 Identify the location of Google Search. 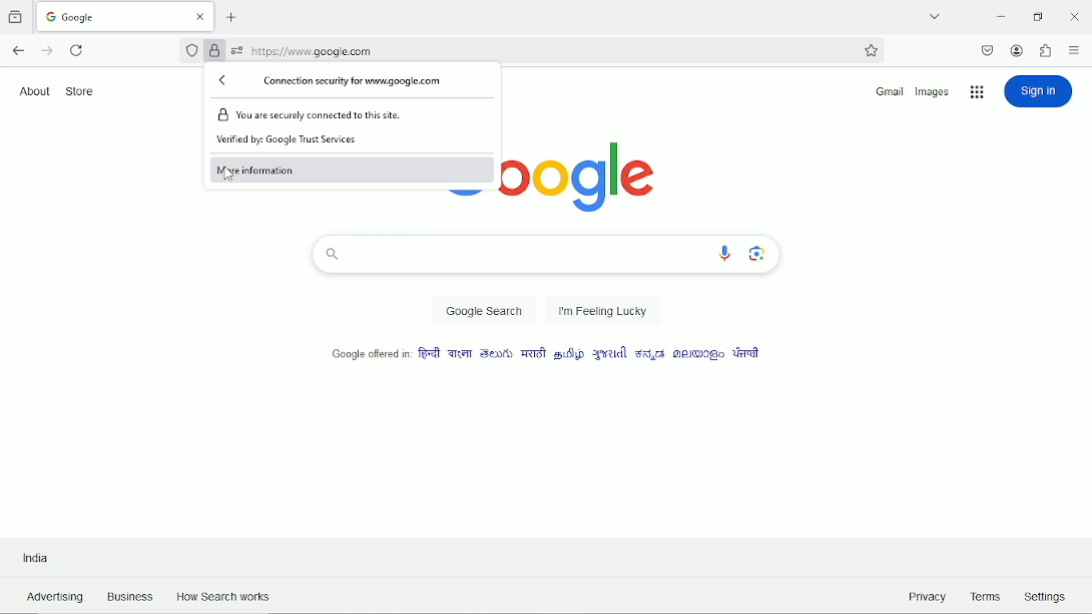
(483, 312).